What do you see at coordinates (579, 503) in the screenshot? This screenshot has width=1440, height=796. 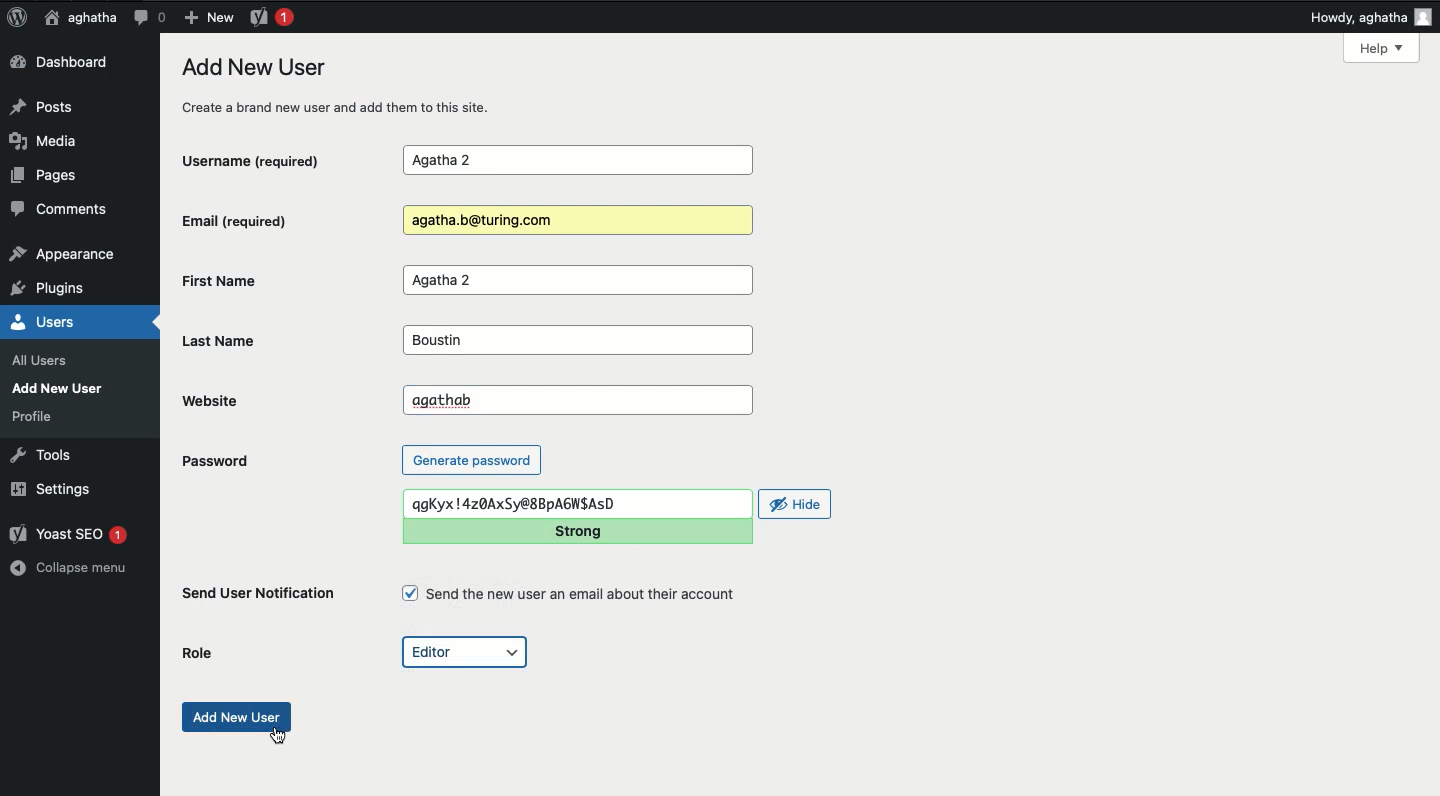 I see `qgKyx !4z0AxSy@8BpAGWSAsD` at bounding box center [579, 503].